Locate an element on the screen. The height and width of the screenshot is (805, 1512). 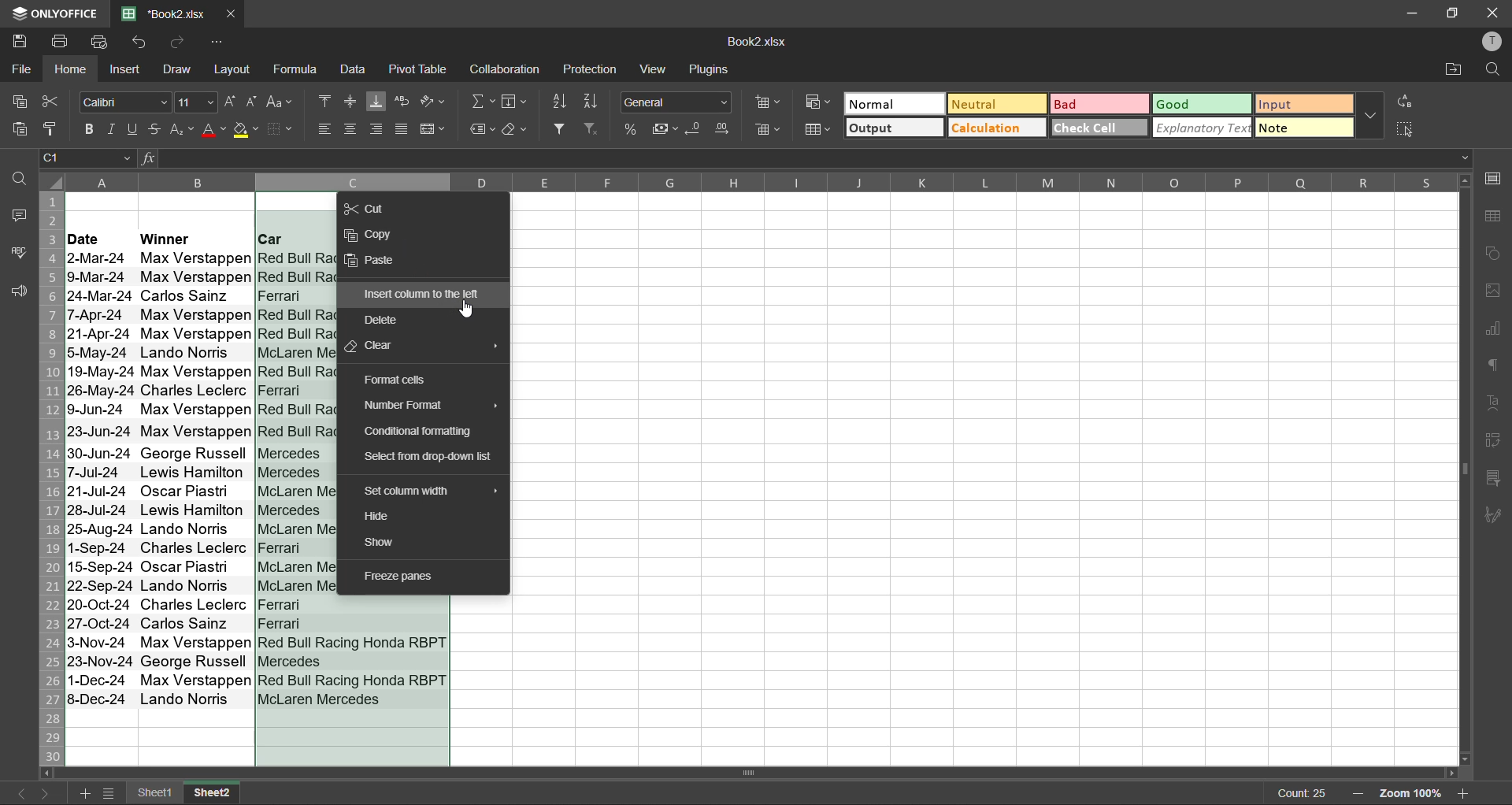
zoom in is located at coordinates (1466, 791).